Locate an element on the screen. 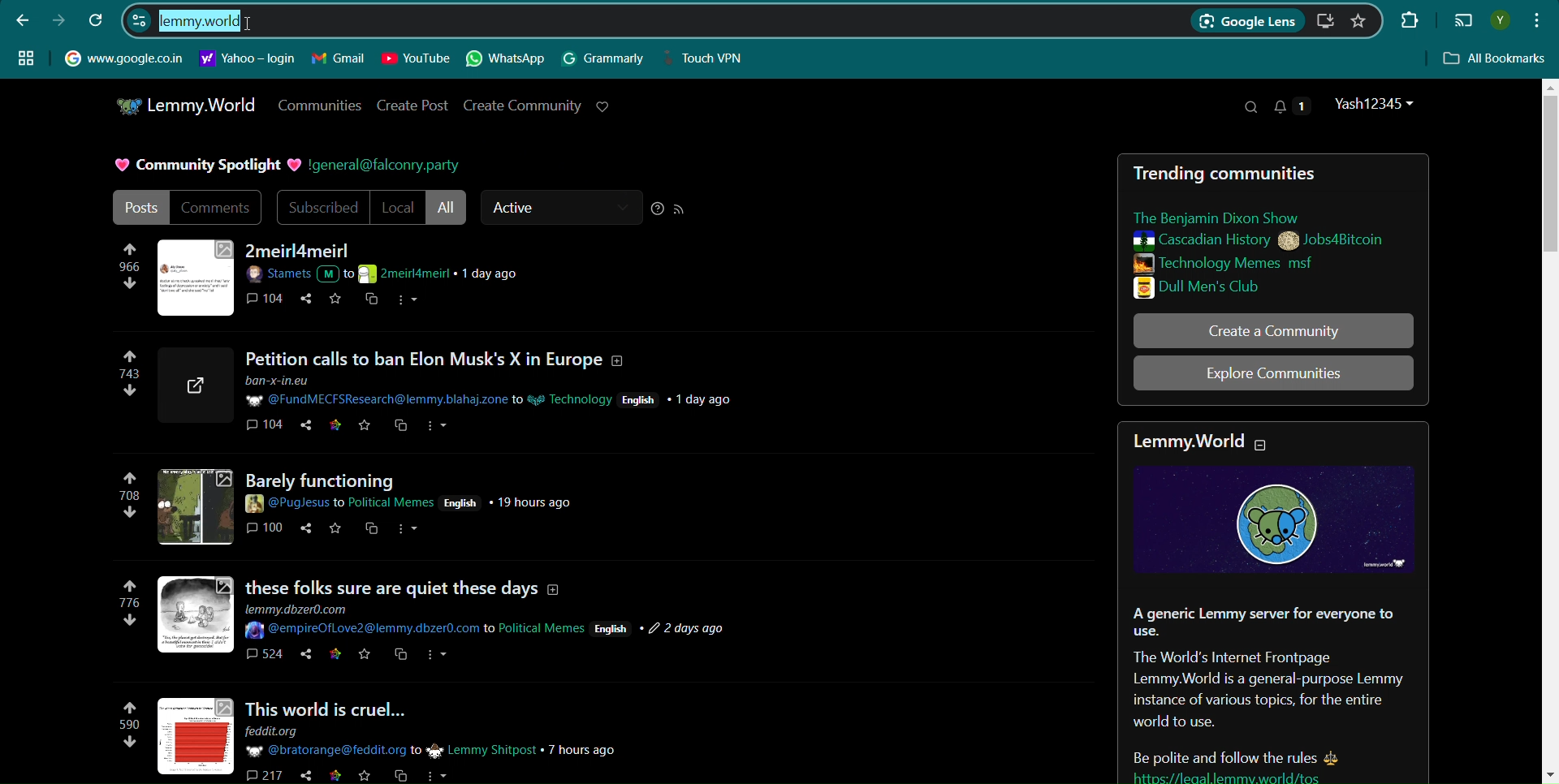 This screenshot has height=784, width=1559. star is located at coordinates (365, 428).